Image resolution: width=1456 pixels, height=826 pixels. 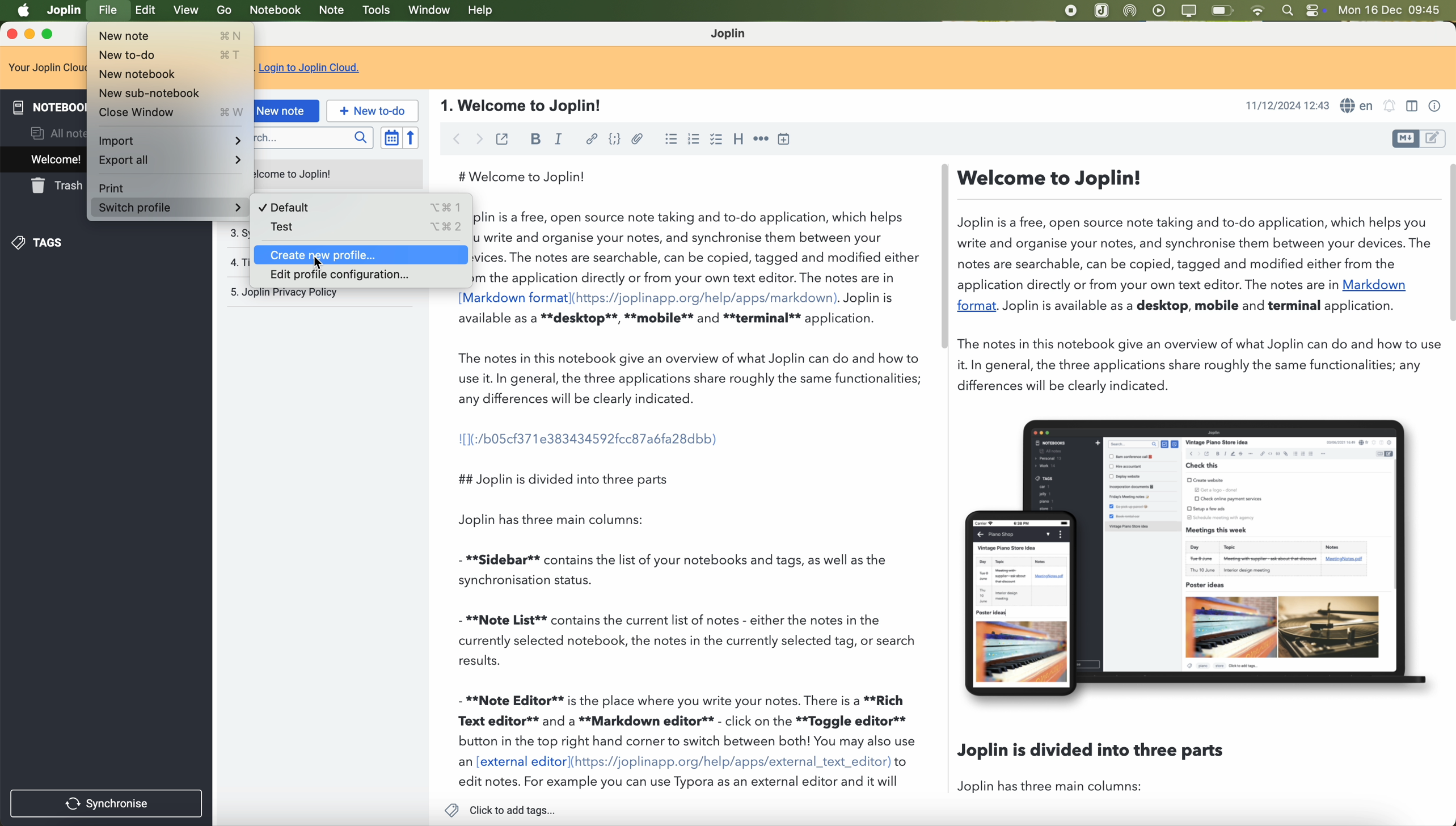 What do you see at coordinates (171, 73) in the screenshot?
I see `New notebook` at bounding box center [171, 73].